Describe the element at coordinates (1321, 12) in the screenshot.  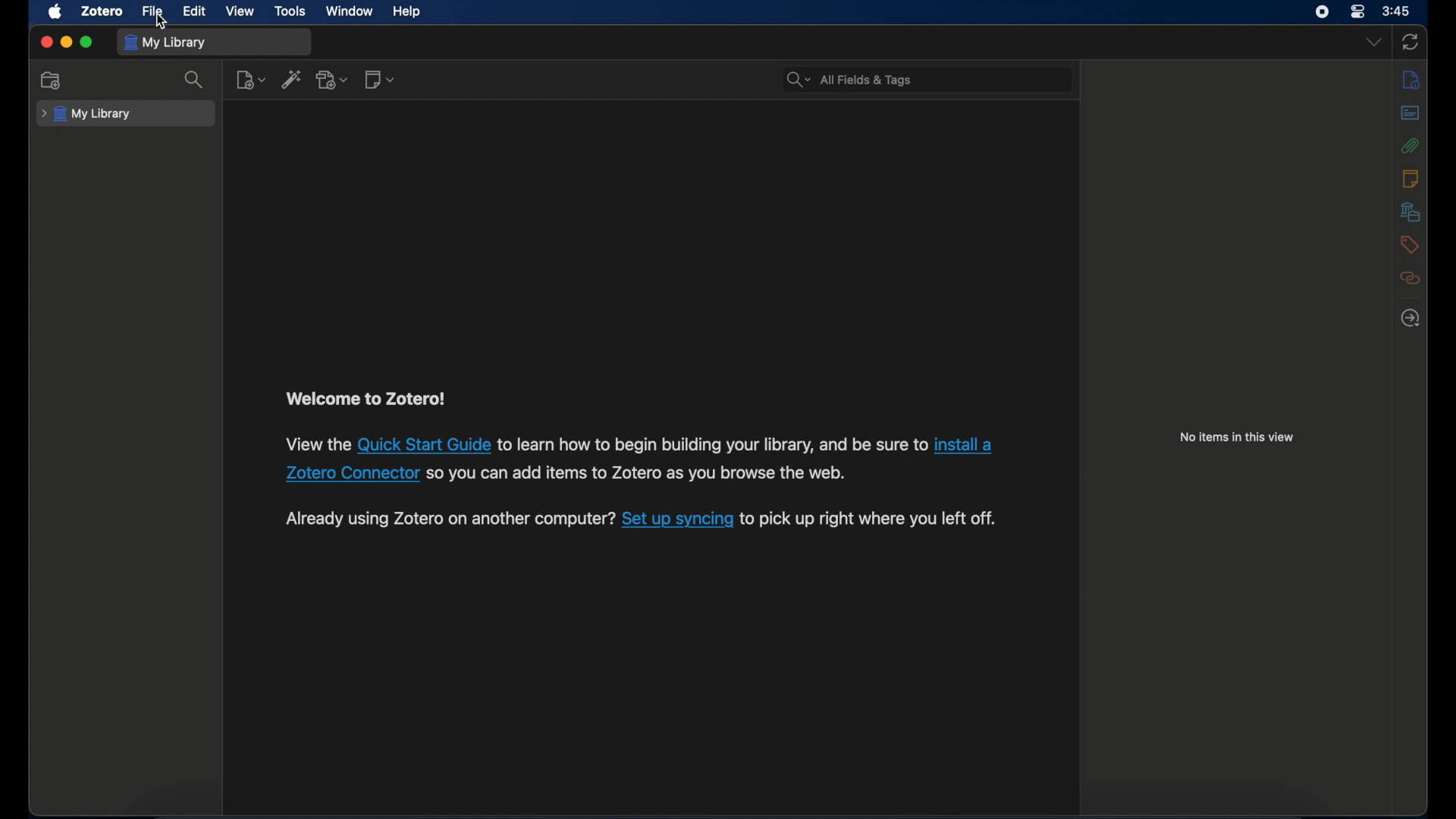
I see `screen recorder` at that location.